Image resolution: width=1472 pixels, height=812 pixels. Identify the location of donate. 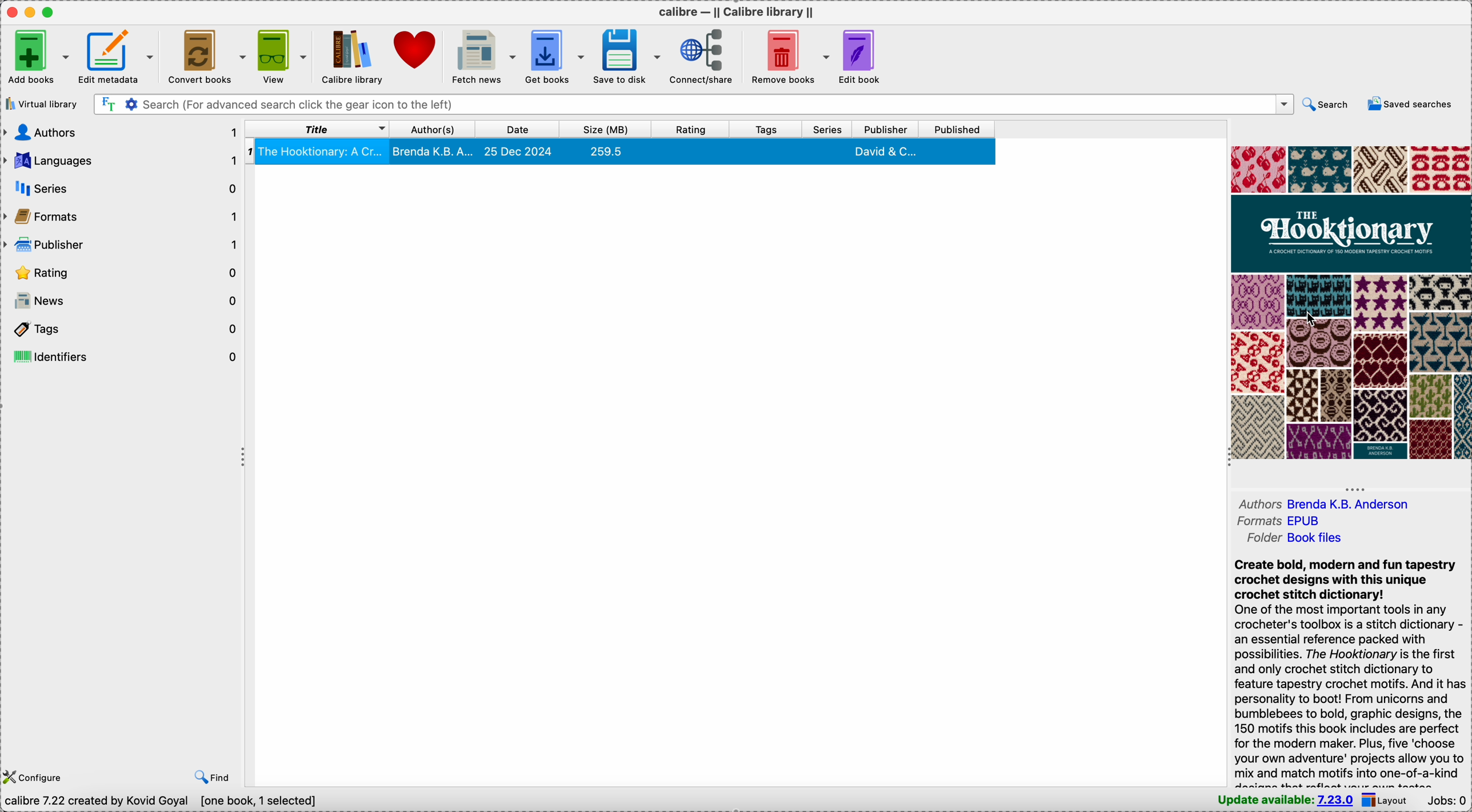
(414, 51).